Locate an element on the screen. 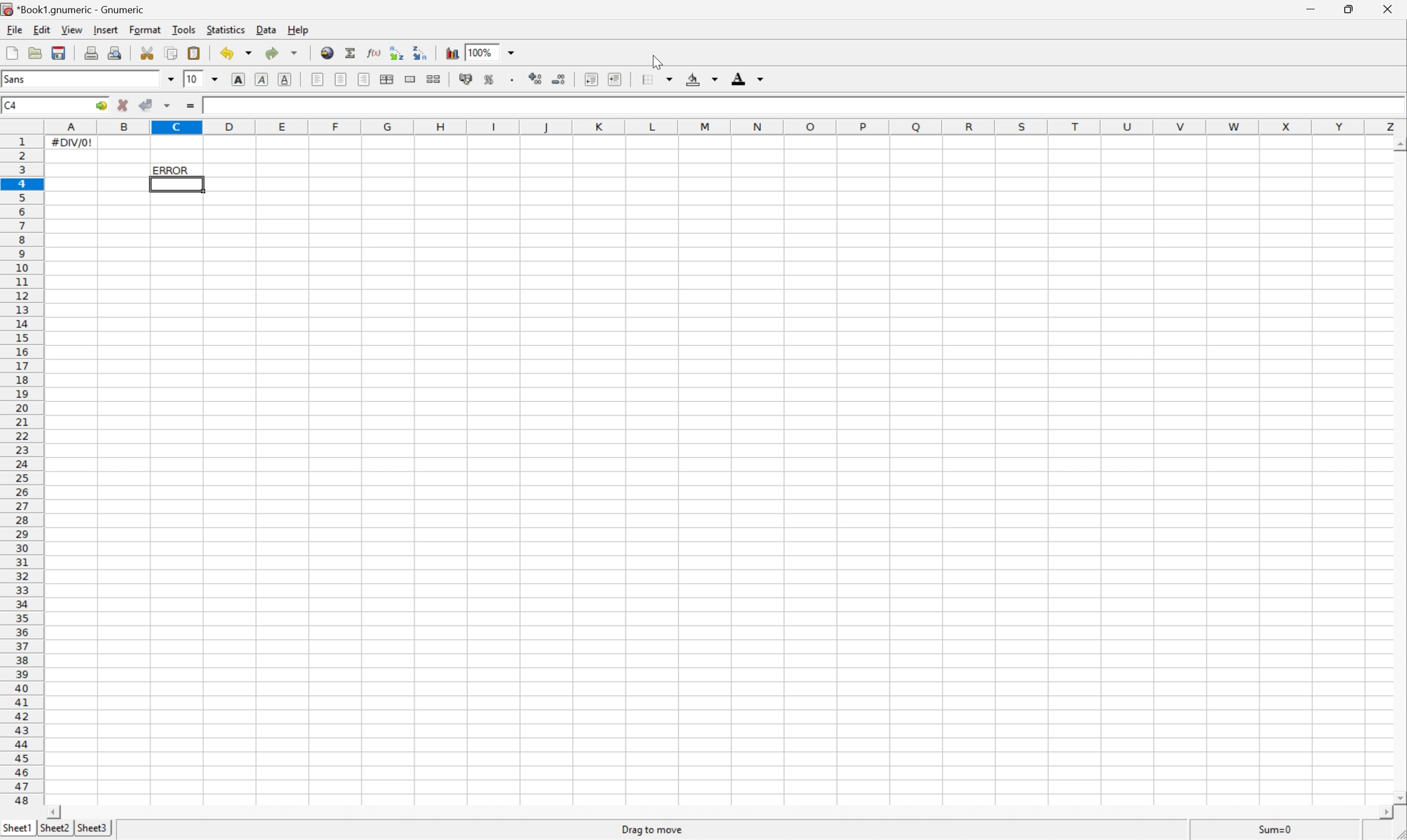  Insert is located at coordinates (108, 29).